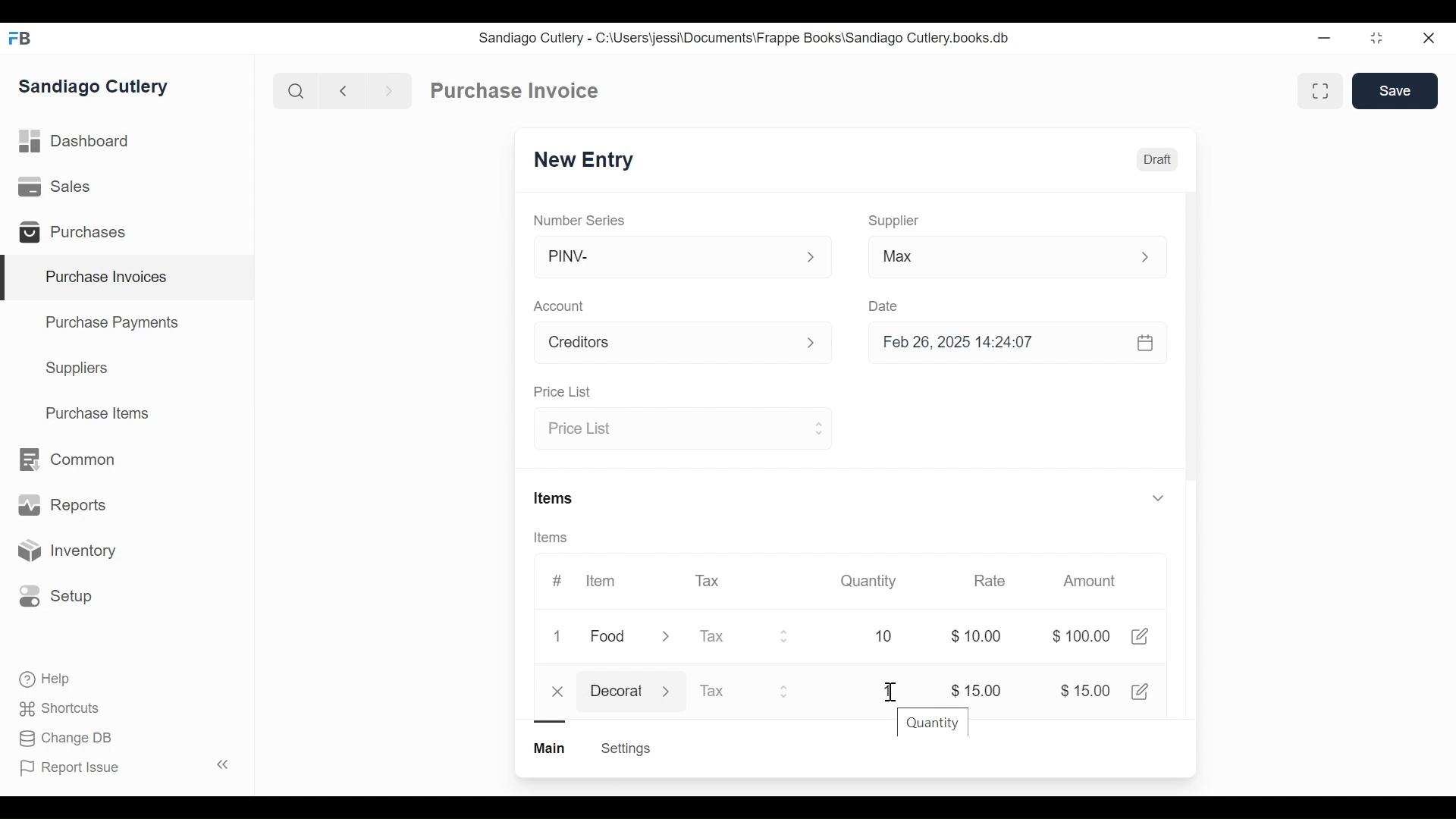  What do you see at coordinates (1093, 582) in the screenshot?
I see `Amount` at bounding box center [1093, 582].